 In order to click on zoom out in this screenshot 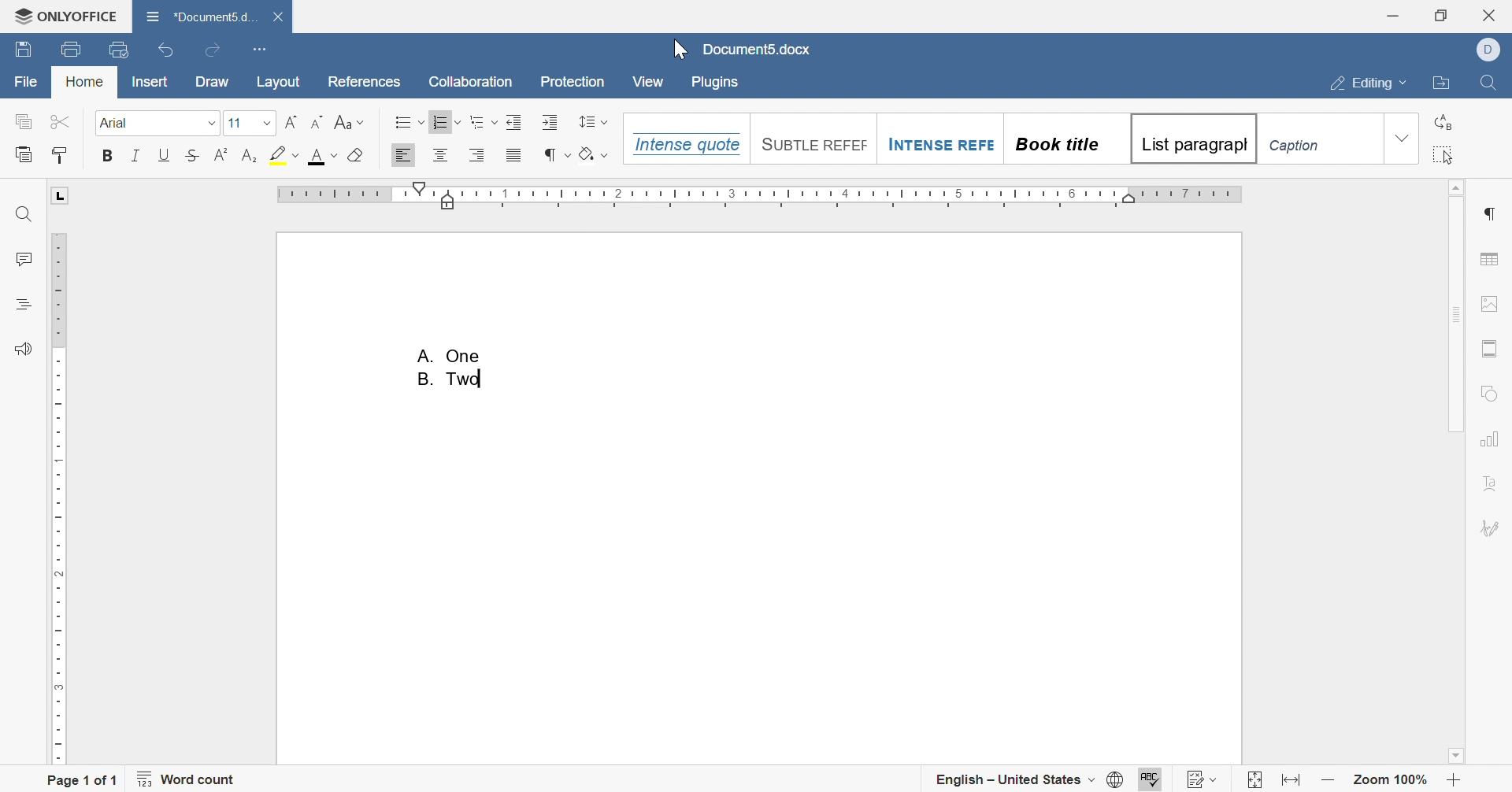, I will do `click(1330, 780)`.